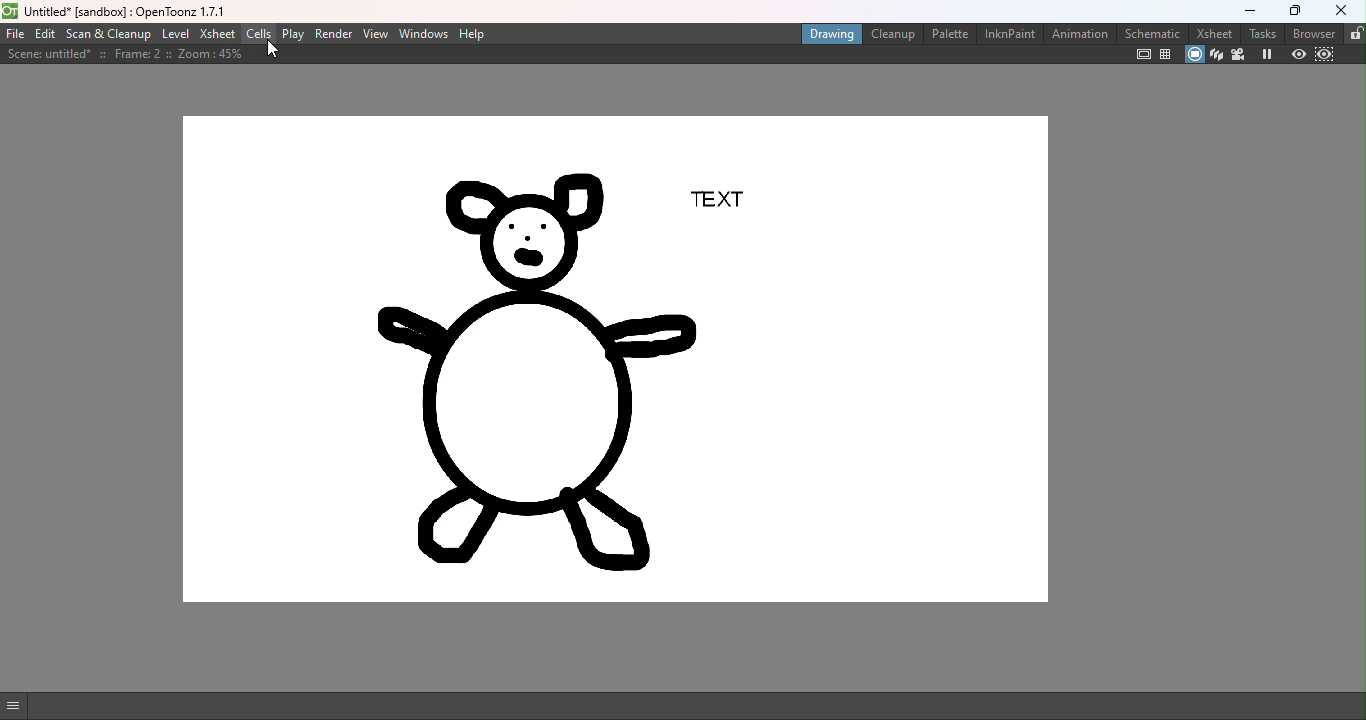 The width and height of the screenshot is (1366, 720). I want to click on File name, so click(124, 10).